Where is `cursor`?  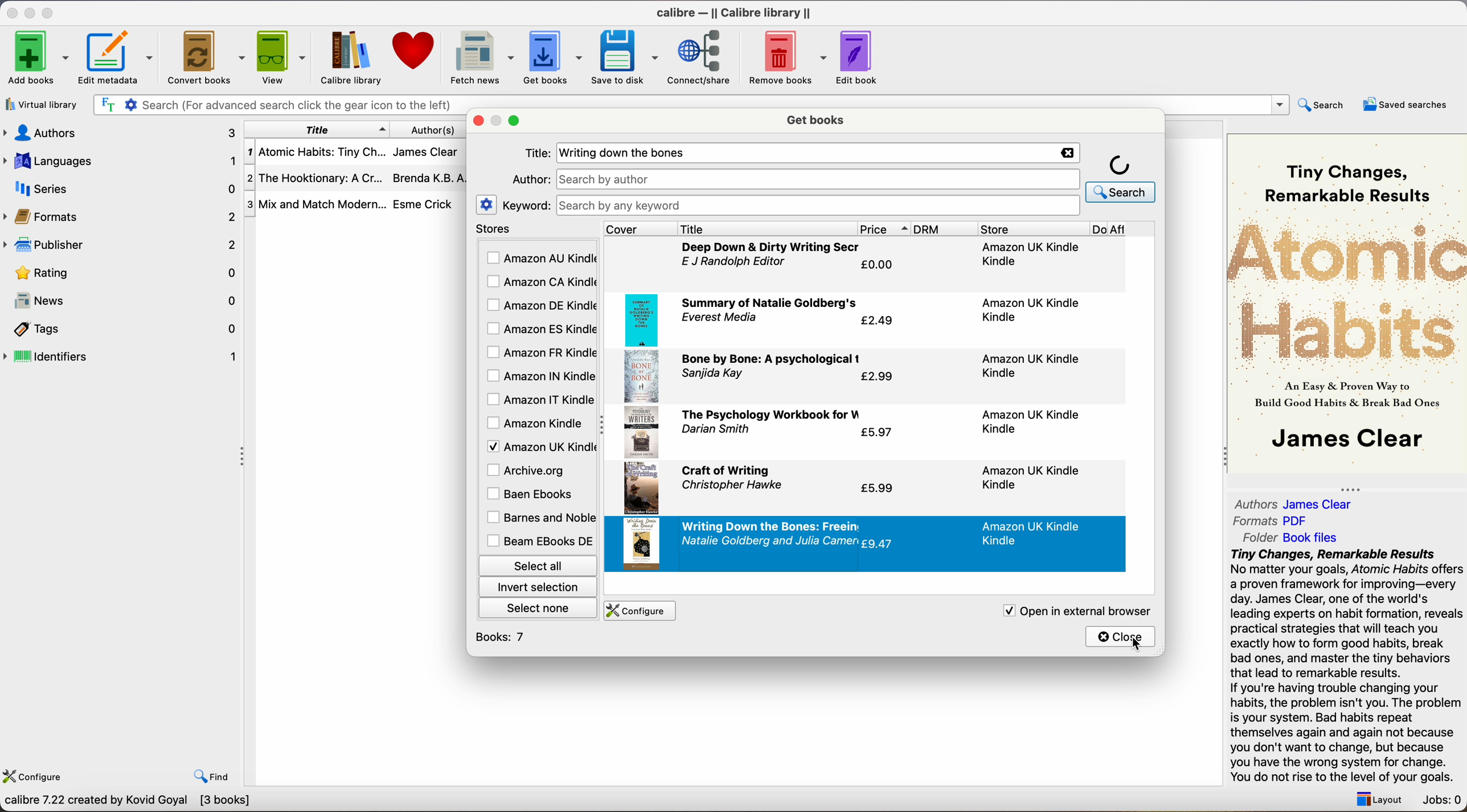
cursor is located at coordinates (1136, 645).